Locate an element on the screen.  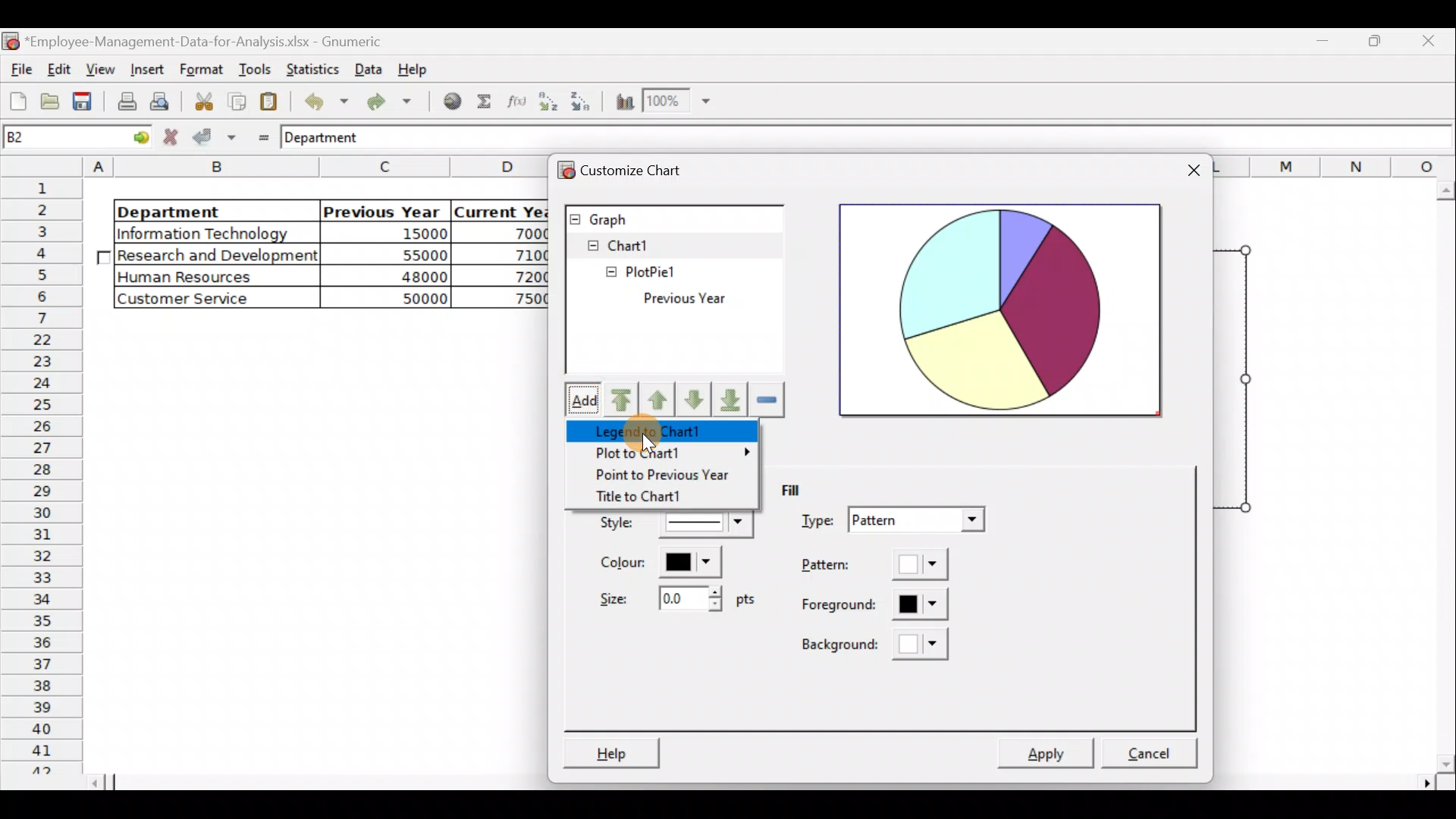
|Information Technology is located at coordinates (215, 233).